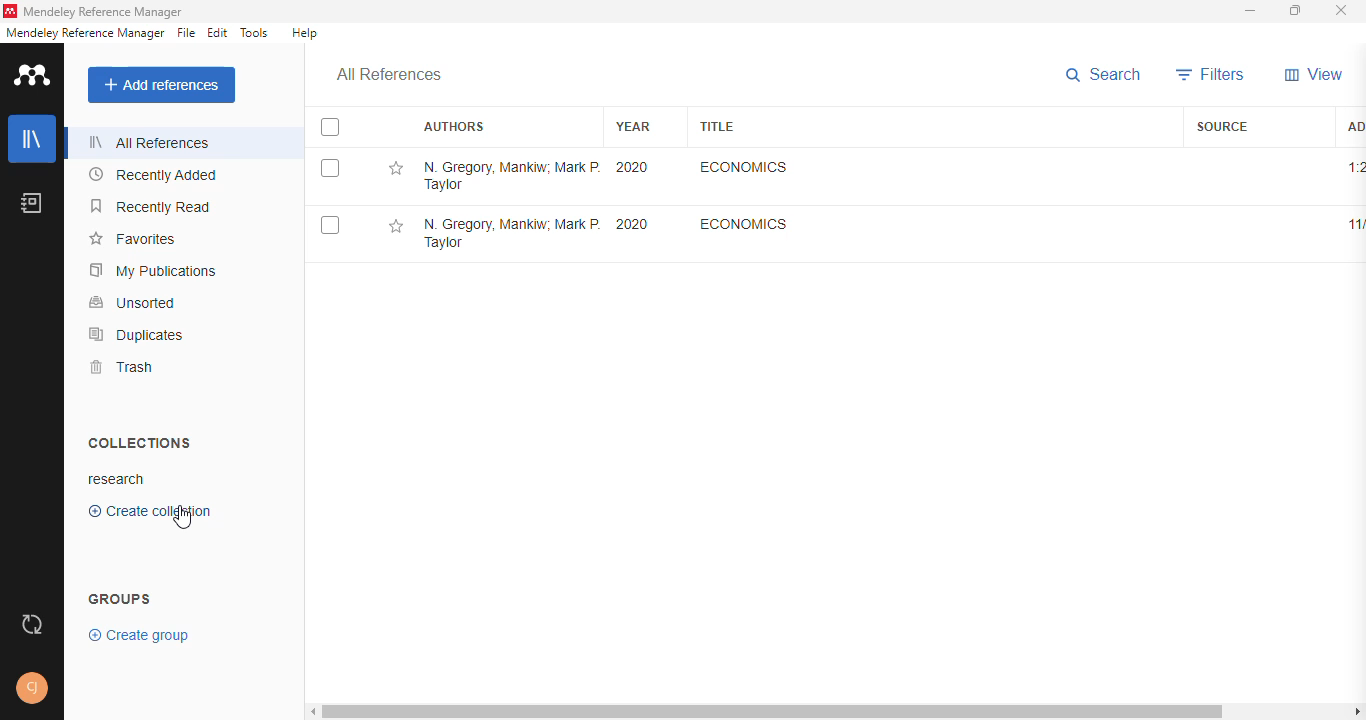 The image size is (1366, 720). I want to click on search, so click(1106, 76).